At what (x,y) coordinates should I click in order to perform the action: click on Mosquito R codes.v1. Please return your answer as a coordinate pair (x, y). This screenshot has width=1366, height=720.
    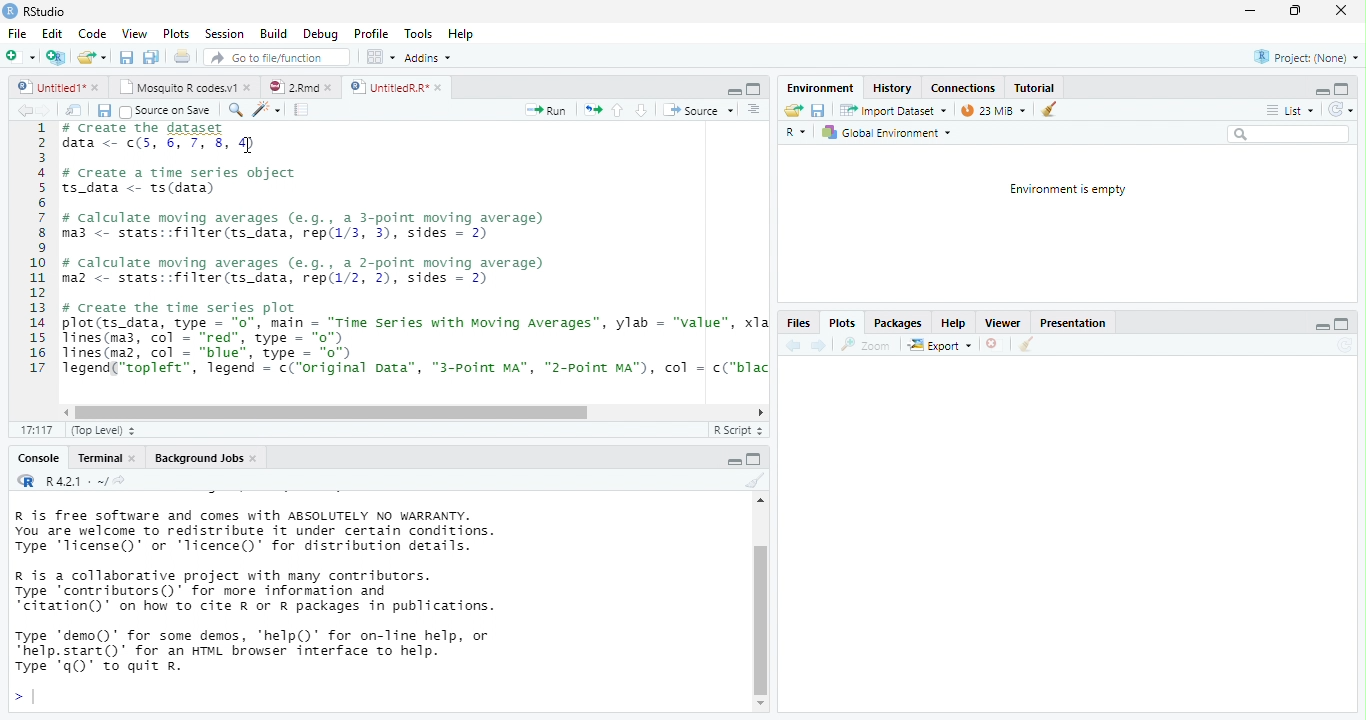
    Looking at the image, I should click on (180, 86).